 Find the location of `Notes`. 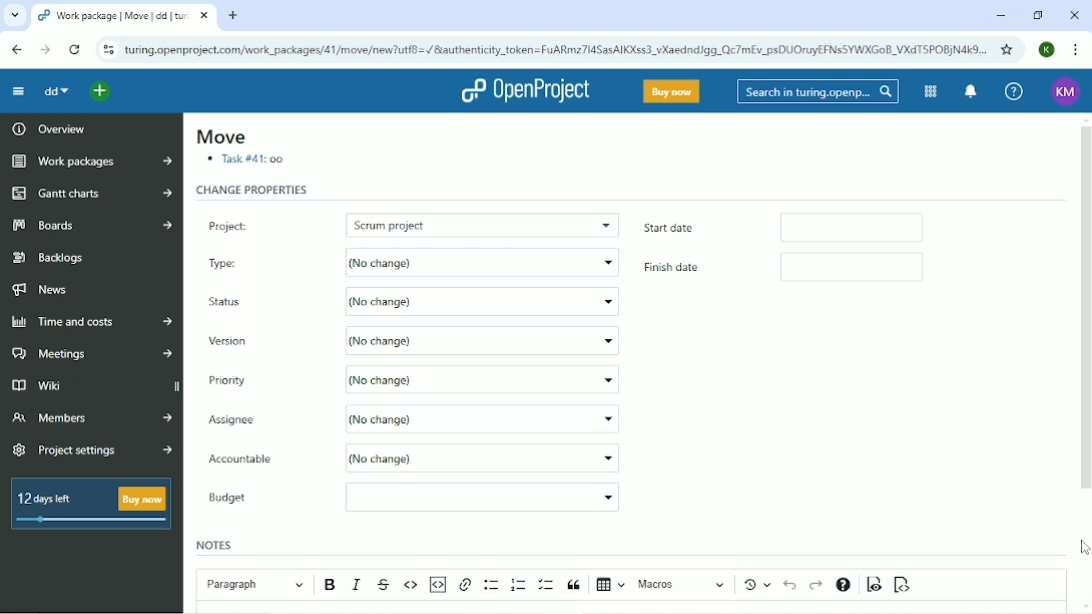

Notes is located at coordinates (216, 544).